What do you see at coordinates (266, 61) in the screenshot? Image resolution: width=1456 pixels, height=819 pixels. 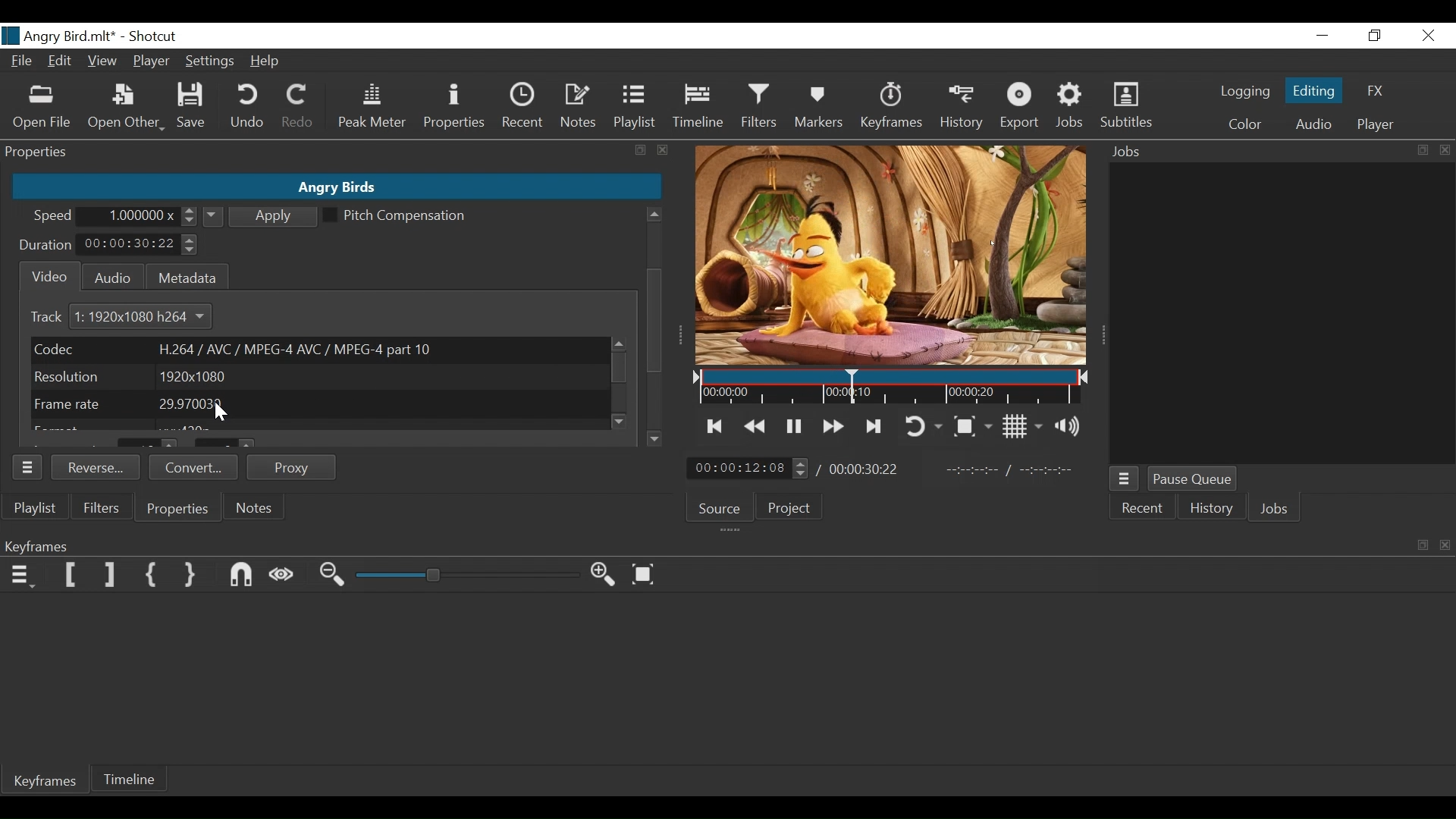 I see `Help` at bounding box center [266, 61].